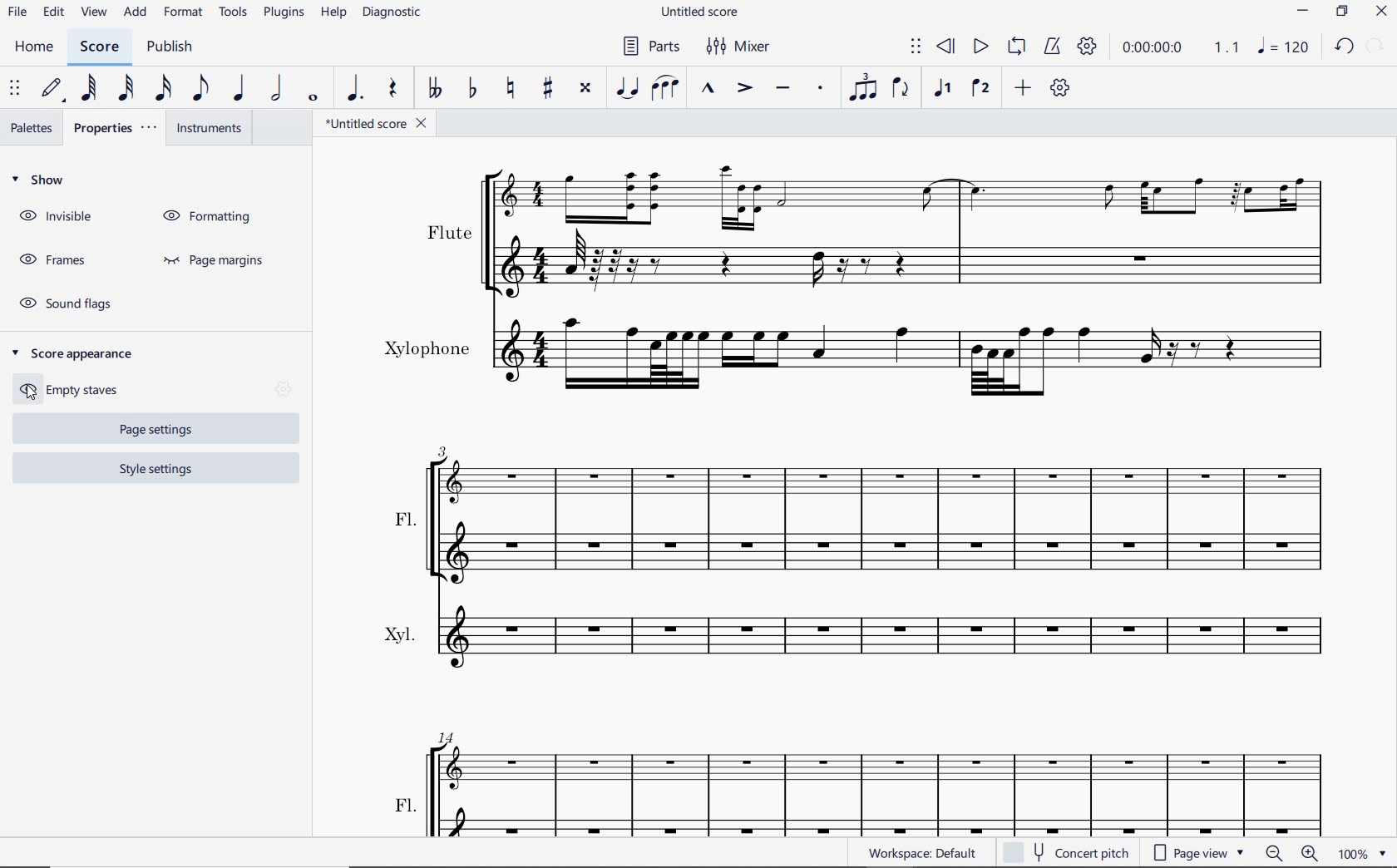 This screenshot has width=1397, height=868. I want to click on VOICE 2, so click(980, 88).